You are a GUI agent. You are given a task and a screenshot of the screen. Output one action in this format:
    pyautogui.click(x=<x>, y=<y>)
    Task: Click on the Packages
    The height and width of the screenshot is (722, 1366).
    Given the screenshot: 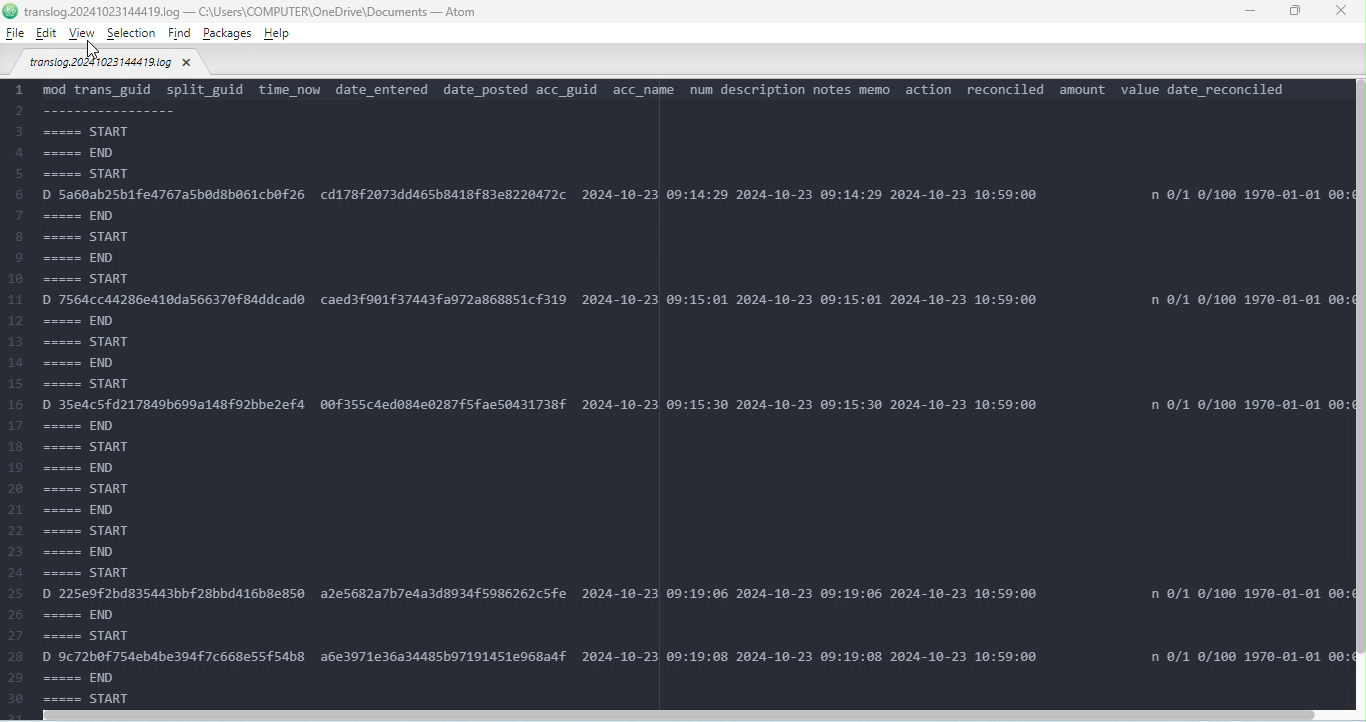 What is the action you would take?
    pyautogui.click(x=229, y=33)
    